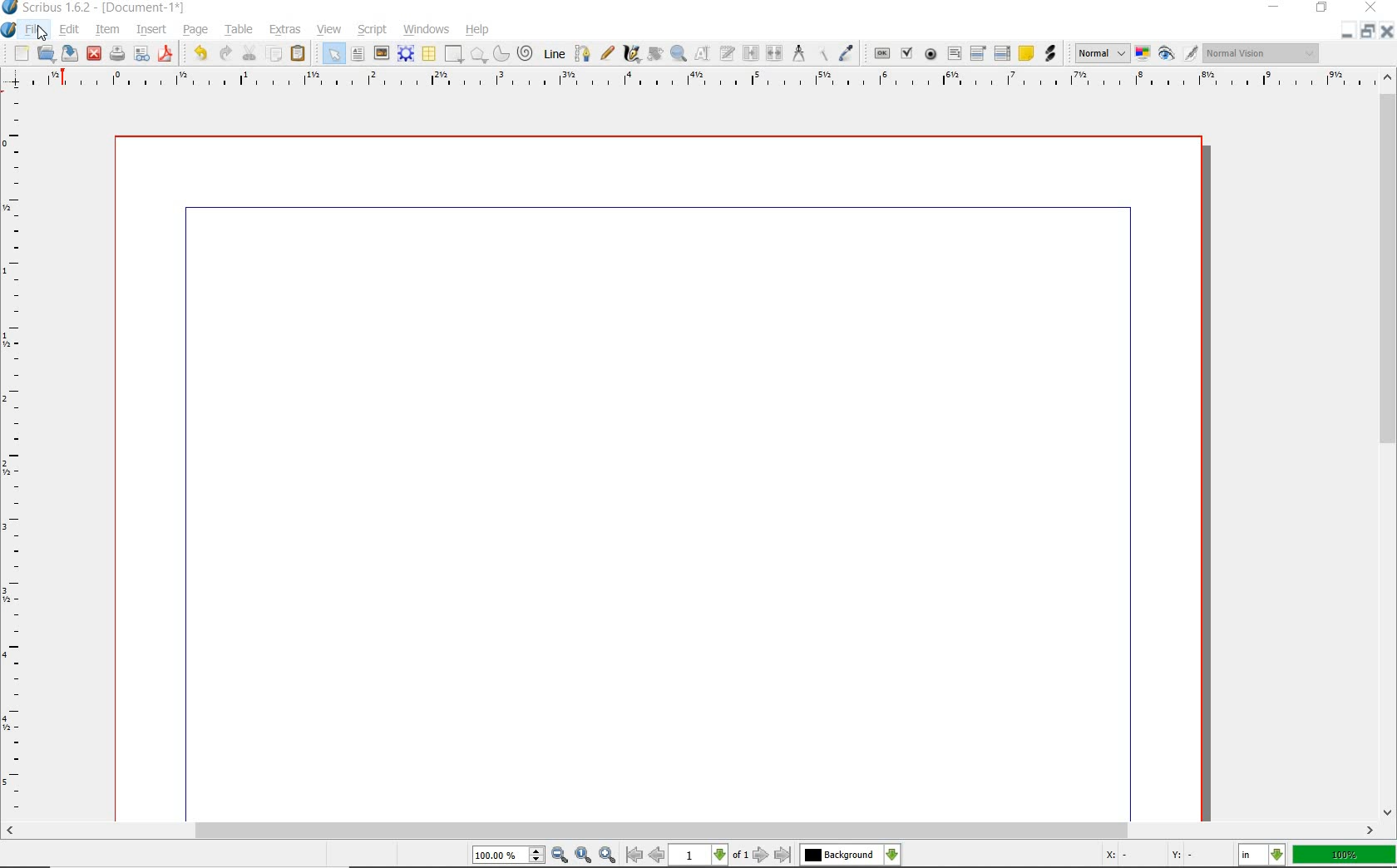 Image resolution: width=1397 pixels, height=868 pixels. Describe the element at coordinates (748, 55) in the screenshot. I see `link text frames` at that location.